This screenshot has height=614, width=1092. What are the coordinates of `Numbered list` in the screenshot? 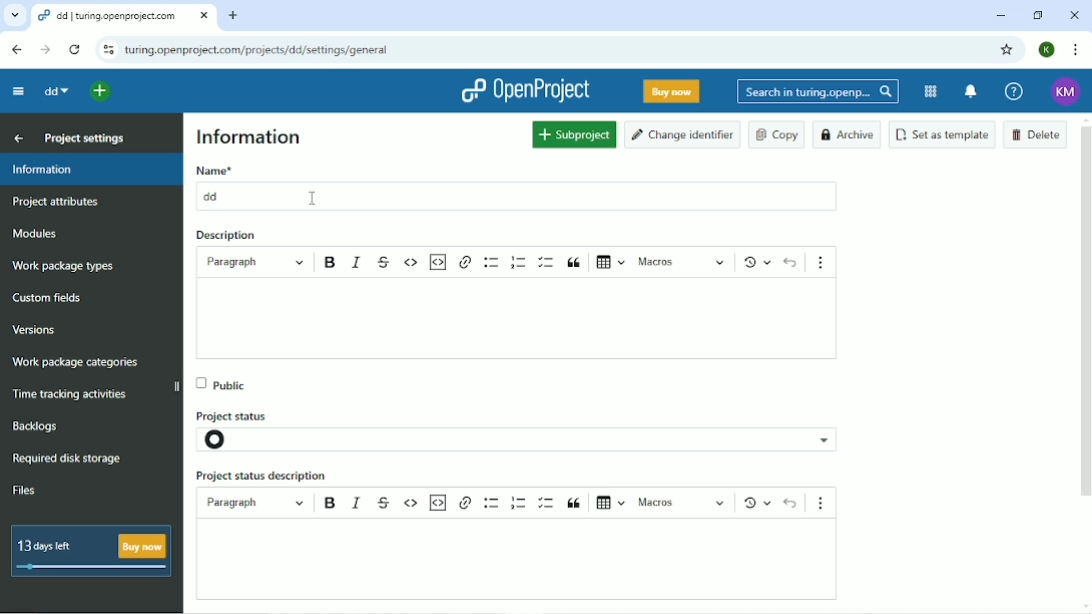 It's located at (518, 261).